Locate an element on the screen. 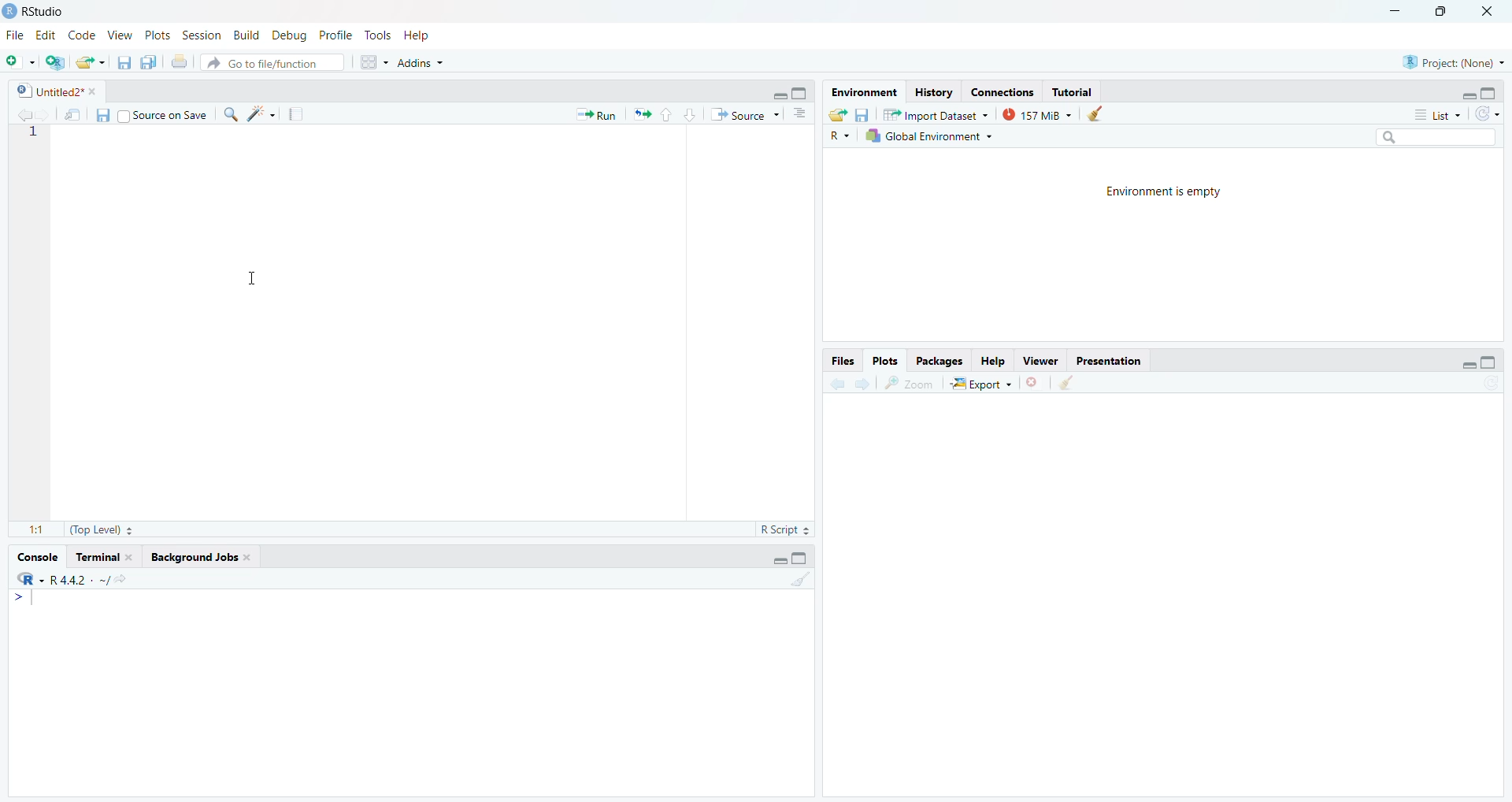  Untitled2* is located at coordinates (47, 89).